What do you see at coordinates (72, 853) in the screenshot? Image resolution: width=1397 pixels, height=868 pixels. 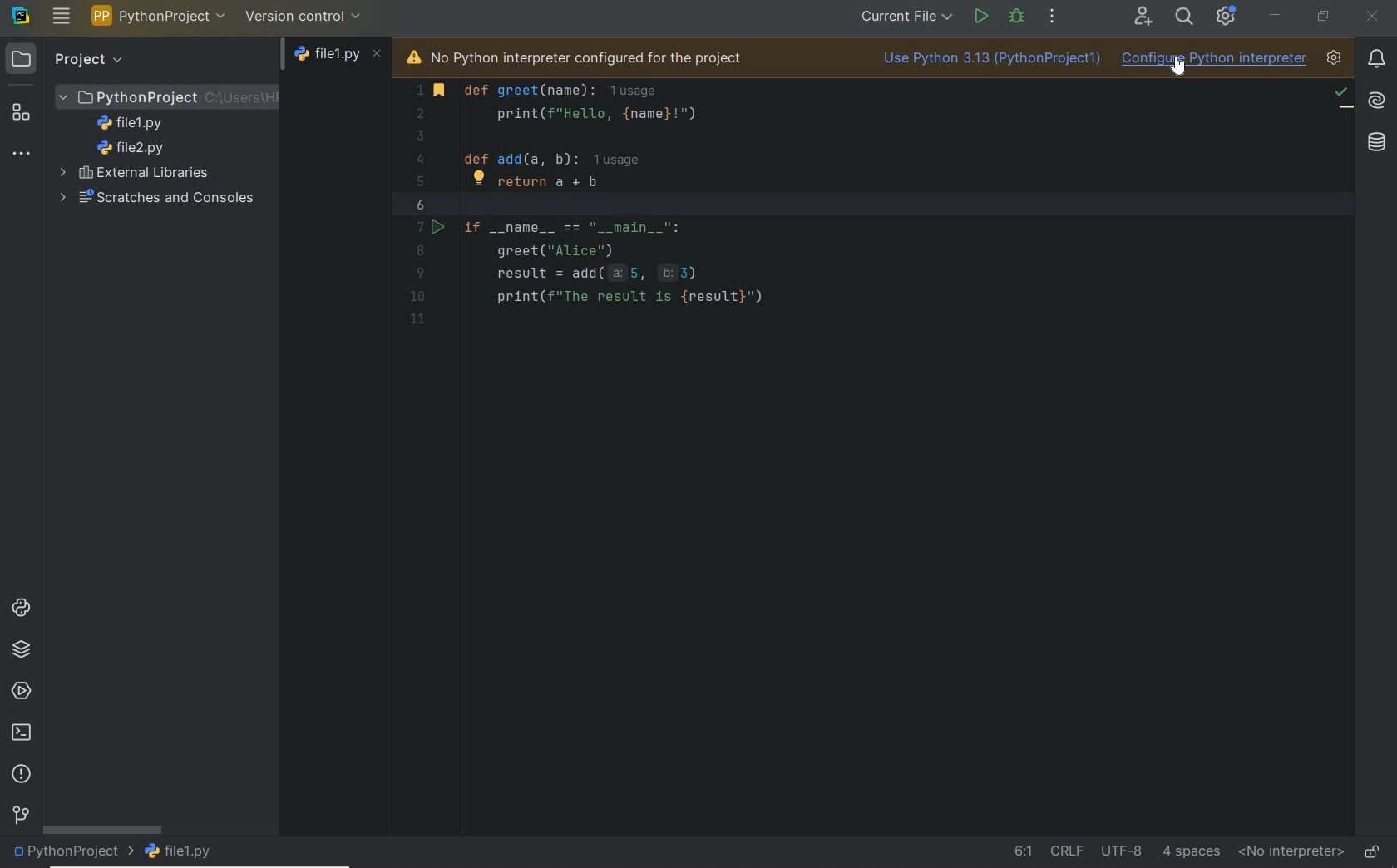 I see `project name` at bounding box center [72, 853].